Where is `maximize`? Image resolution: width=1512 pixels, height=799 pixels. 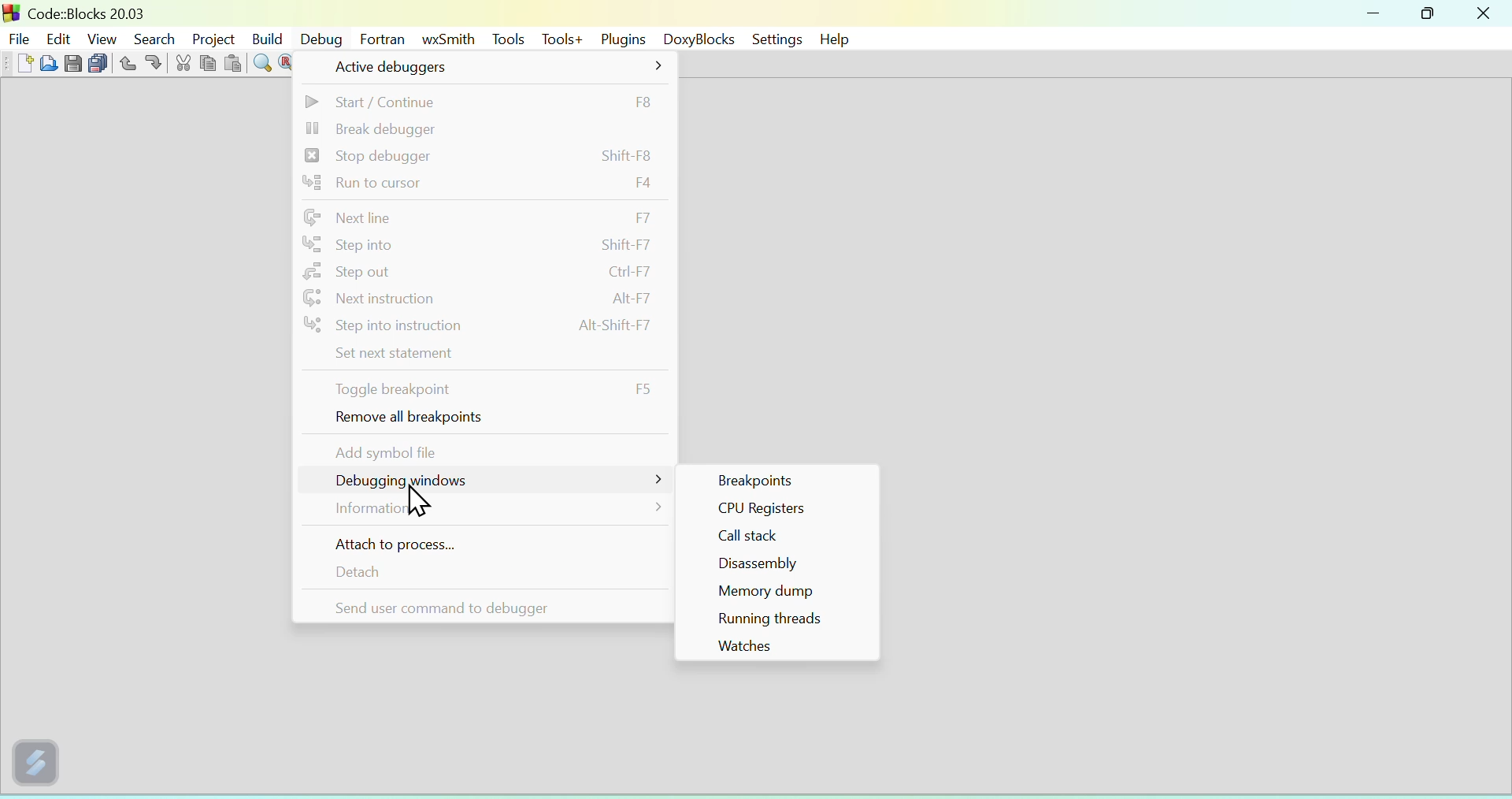 maximize is located at coordinates (1429, 13).